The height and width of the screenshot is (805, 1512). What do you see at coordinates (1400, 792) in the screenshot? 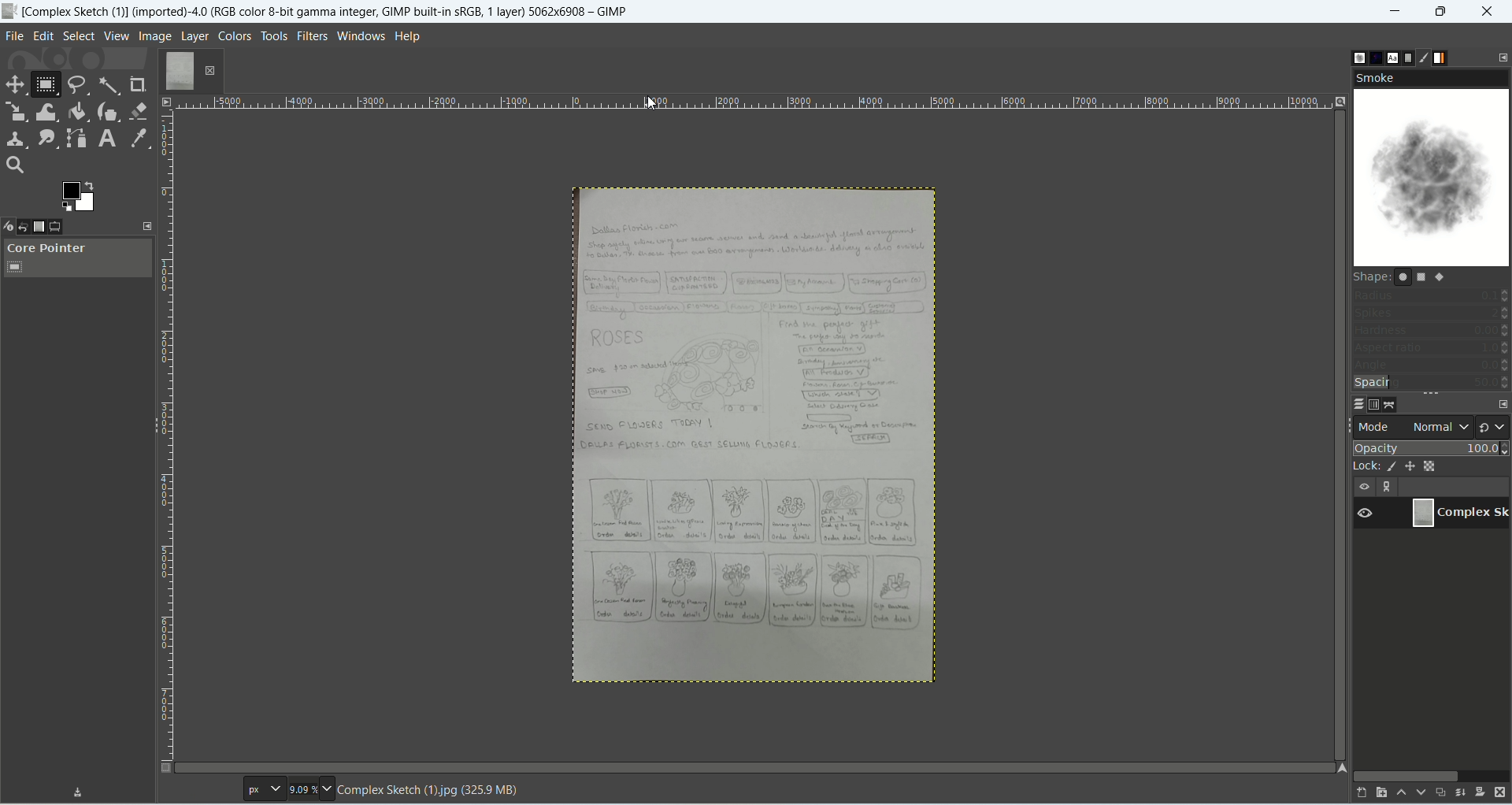
I see `raise this layer` at bounding box center [1400, 792].